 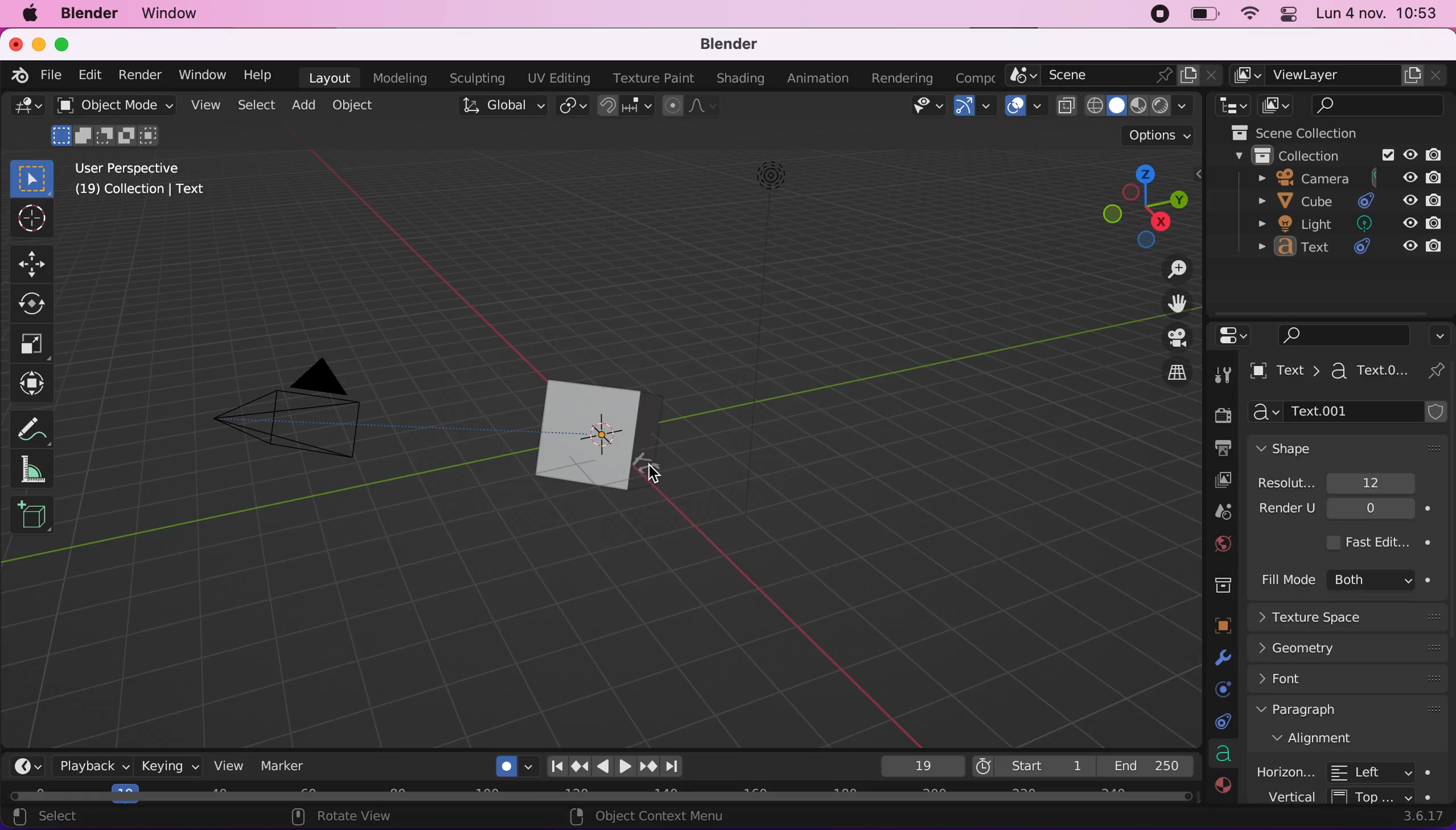 What do you see at coordinates (1221, 449) in the screenshot?
I see `output` at bounding box center [1221, 449].